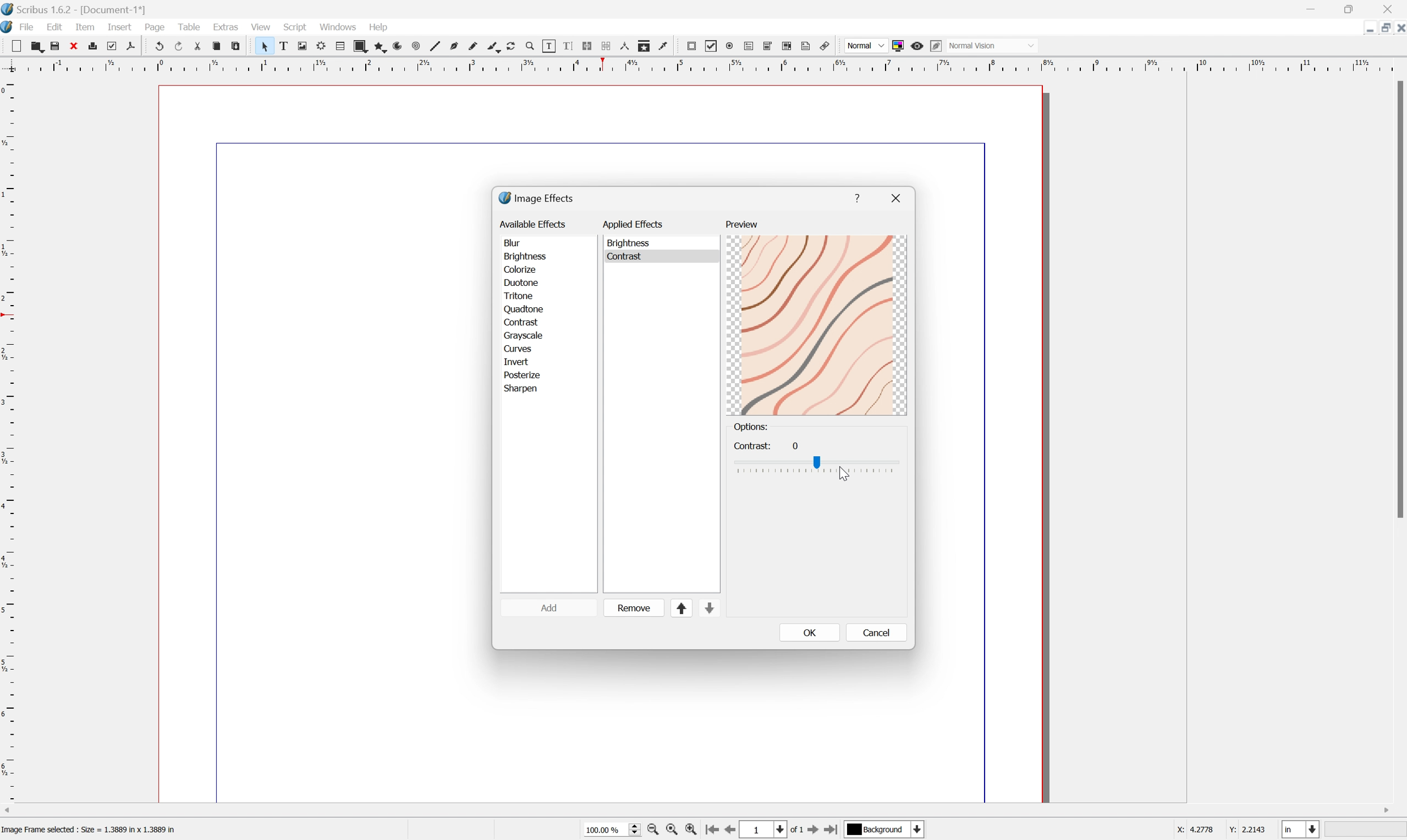  Describe the element at coordinates (515, 241) in the screenshot. I see `blur` at that location.